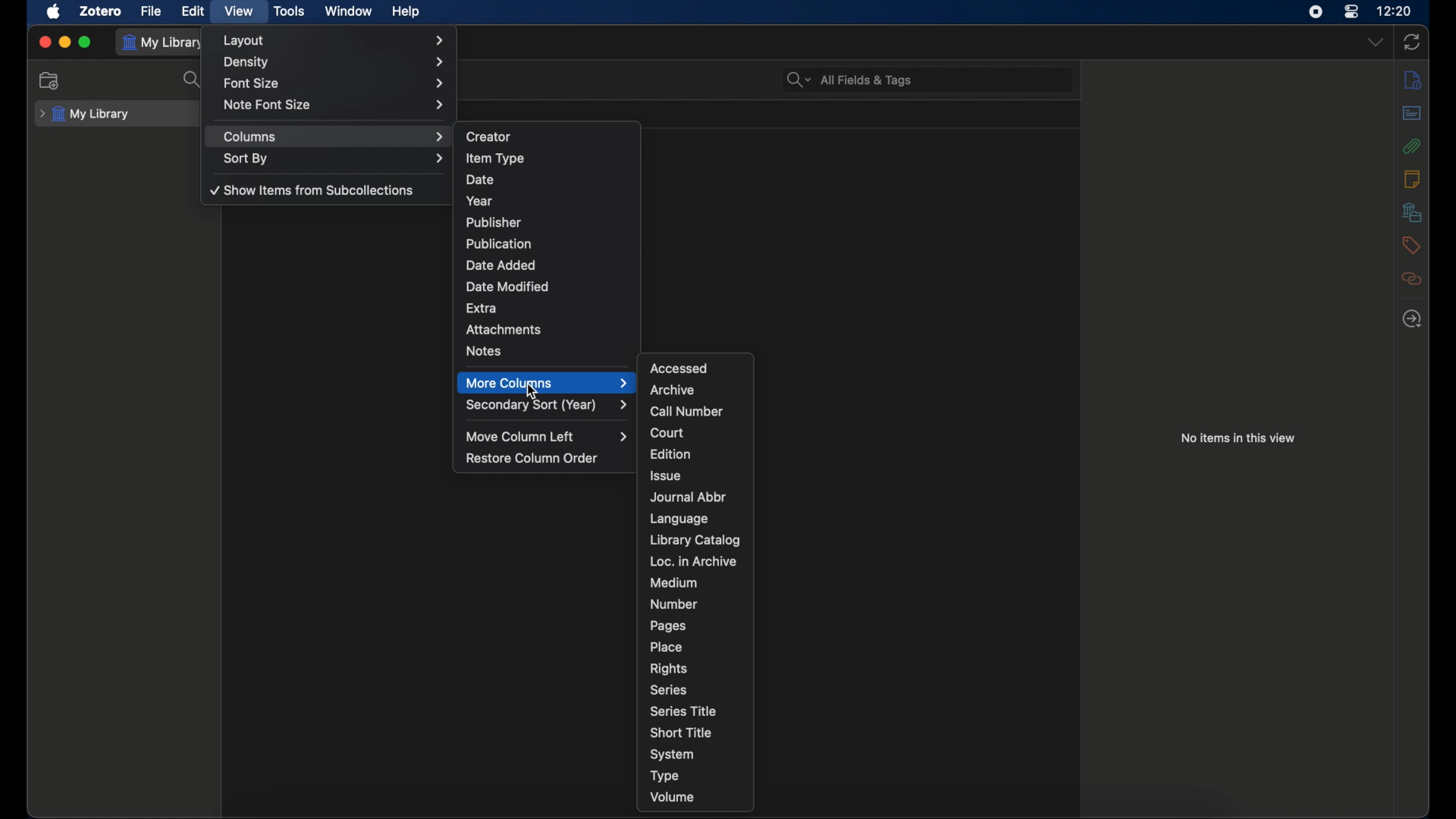 This screenshot has height=819, width=1456. I want to click on font size, so click(333, 83).